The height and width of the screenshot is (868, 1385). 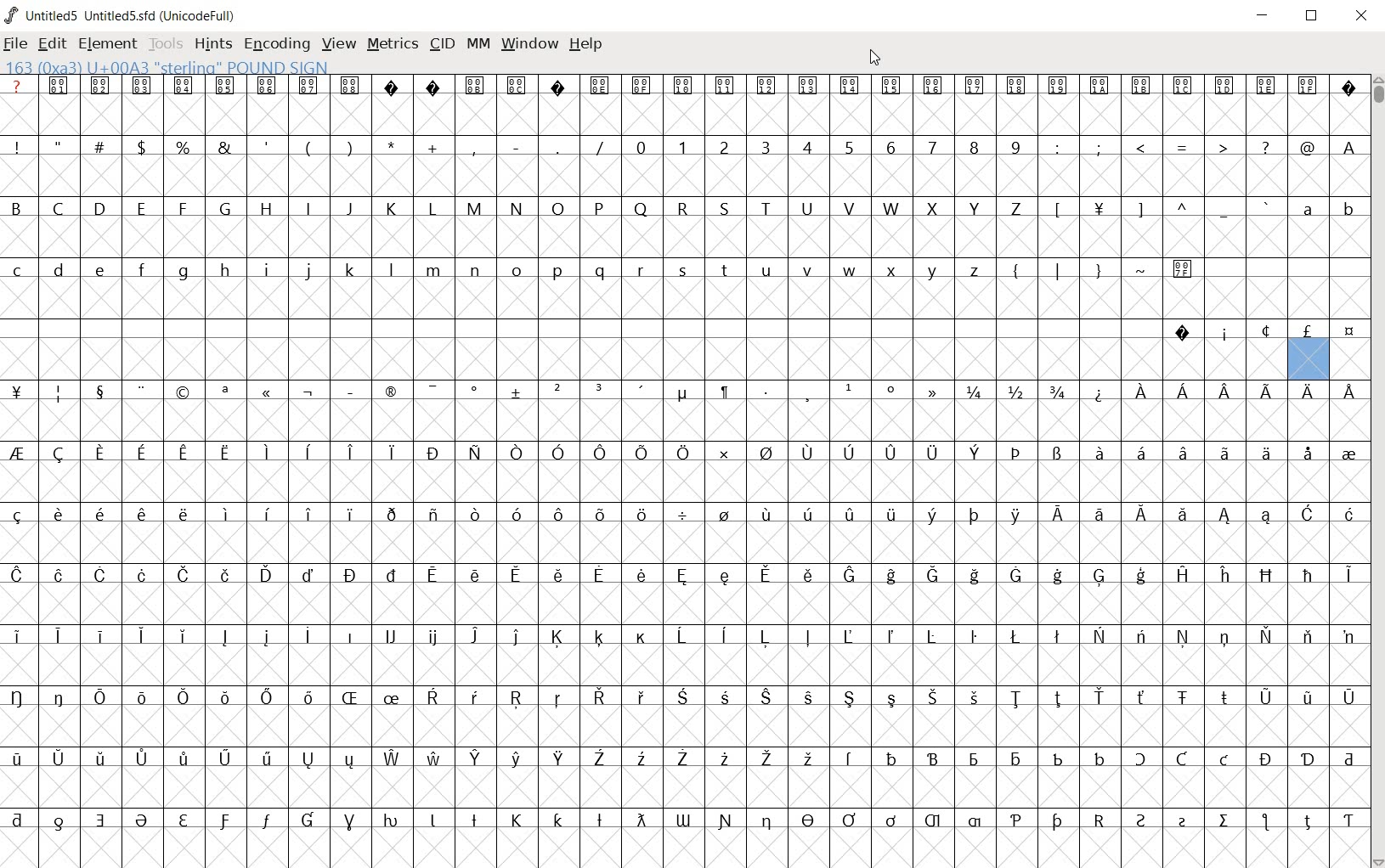 What do you see at coordinates (852, 86) in the screenshot?
I see `Symbol` at bounding box center [852, 86].